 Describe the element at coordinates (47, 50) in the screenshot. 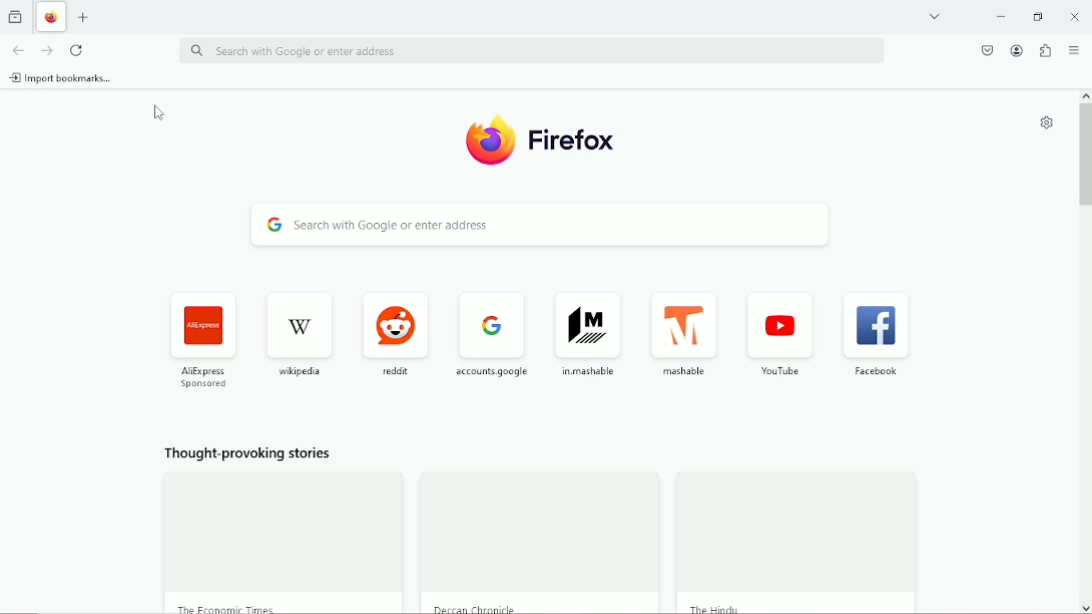

I see `Go forward` at that location.